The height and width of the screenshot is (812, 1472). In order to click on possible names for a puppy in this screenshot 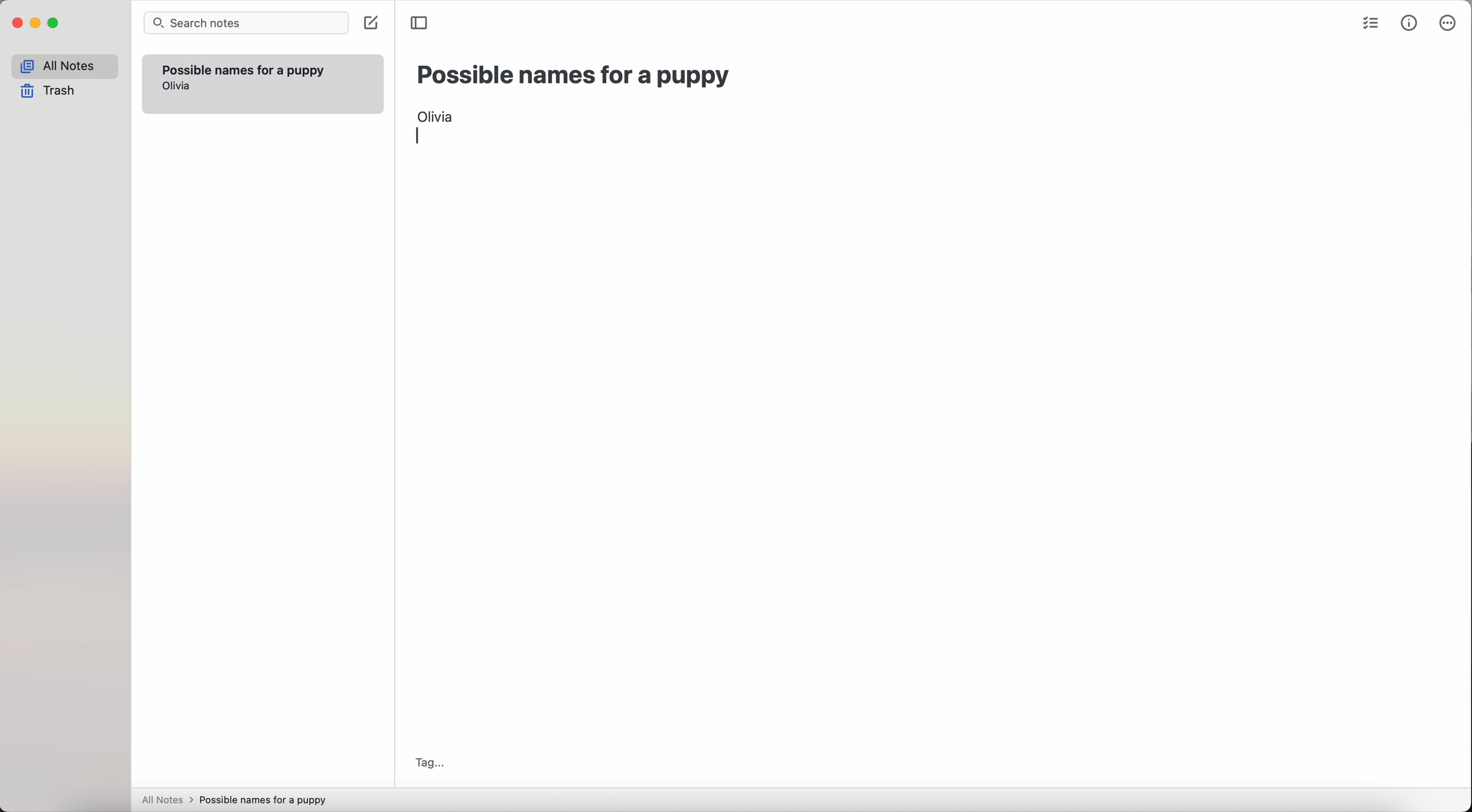, I will do `click(574, 75)`.